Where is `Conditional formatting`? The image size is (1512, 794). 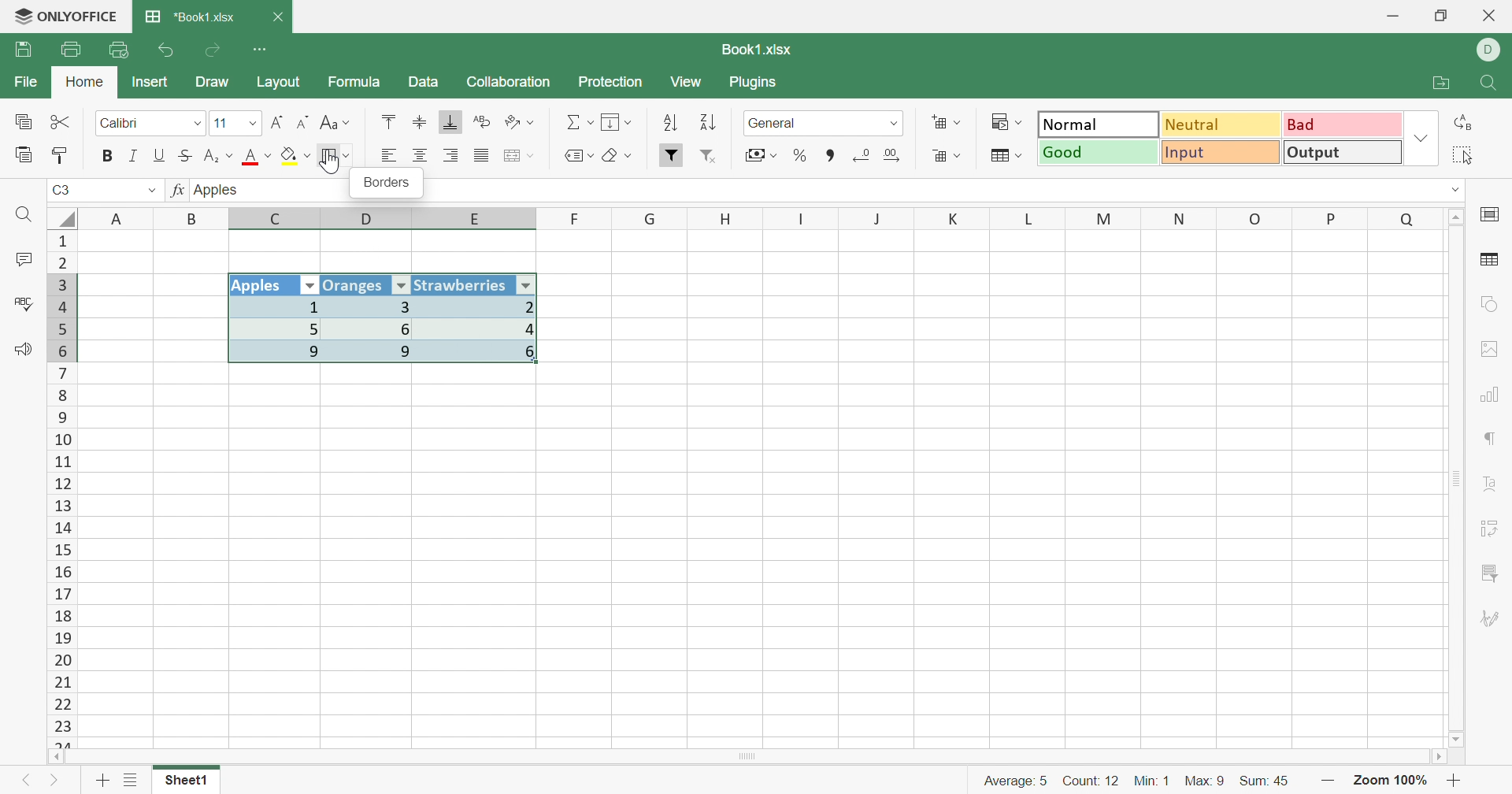
Conditional formatting is located at coordinates (1010, 122).